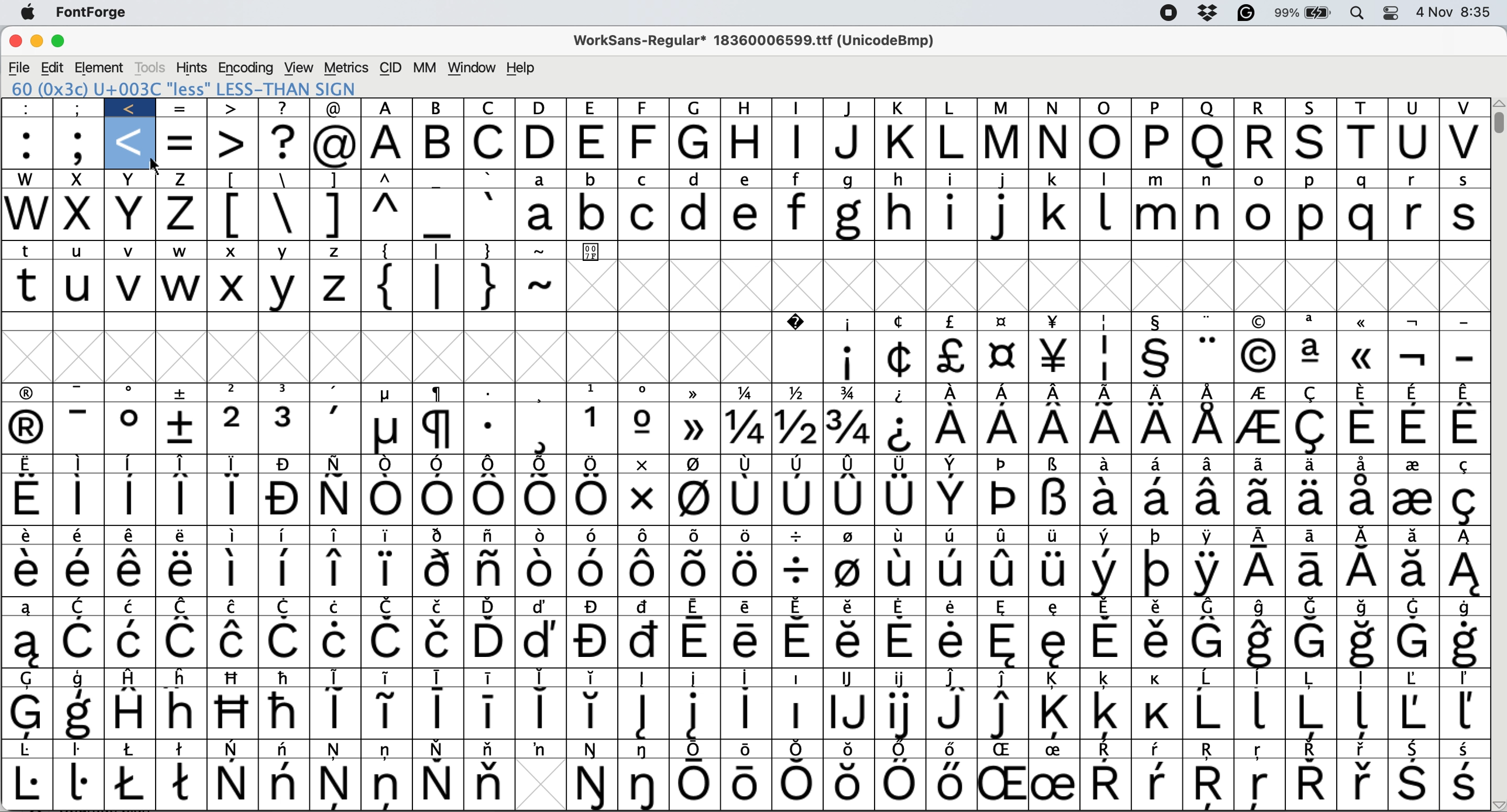 The image size is (1507, 812). I want to click on Symbol, so click(234, 642).